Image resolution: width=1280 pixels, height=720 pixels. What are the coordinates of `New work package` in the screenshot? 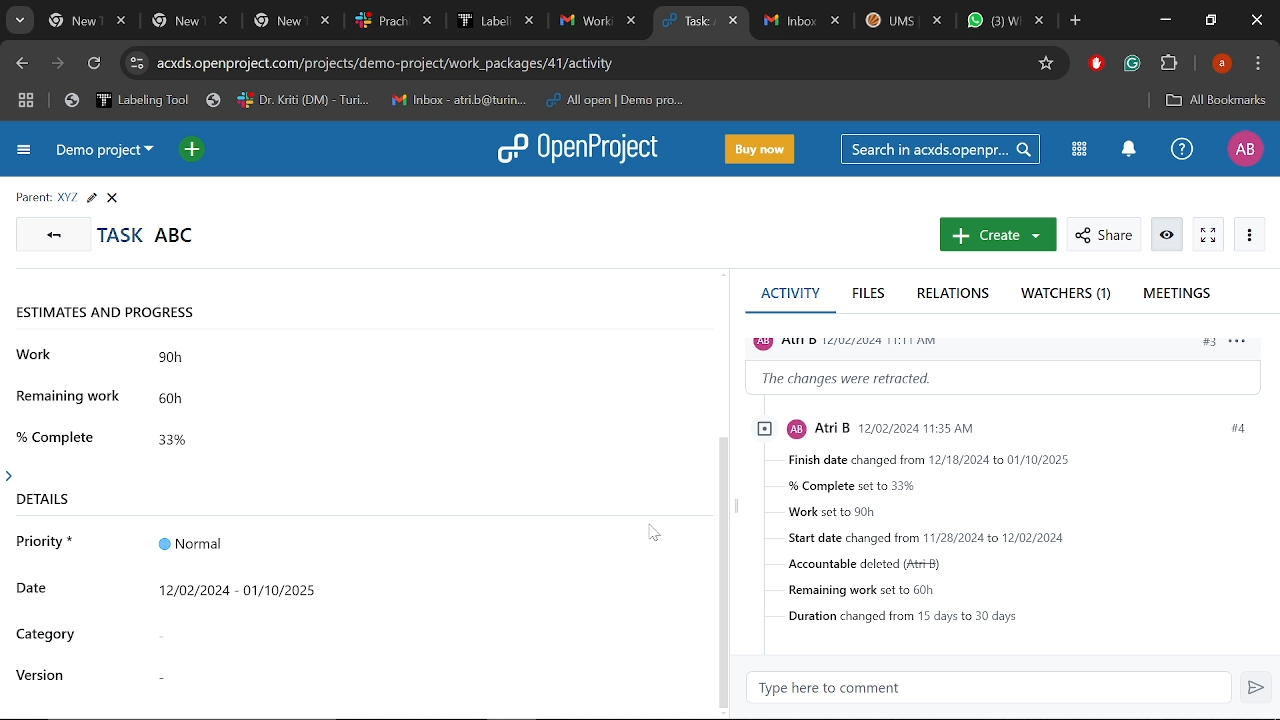 It's located at (996, 235).